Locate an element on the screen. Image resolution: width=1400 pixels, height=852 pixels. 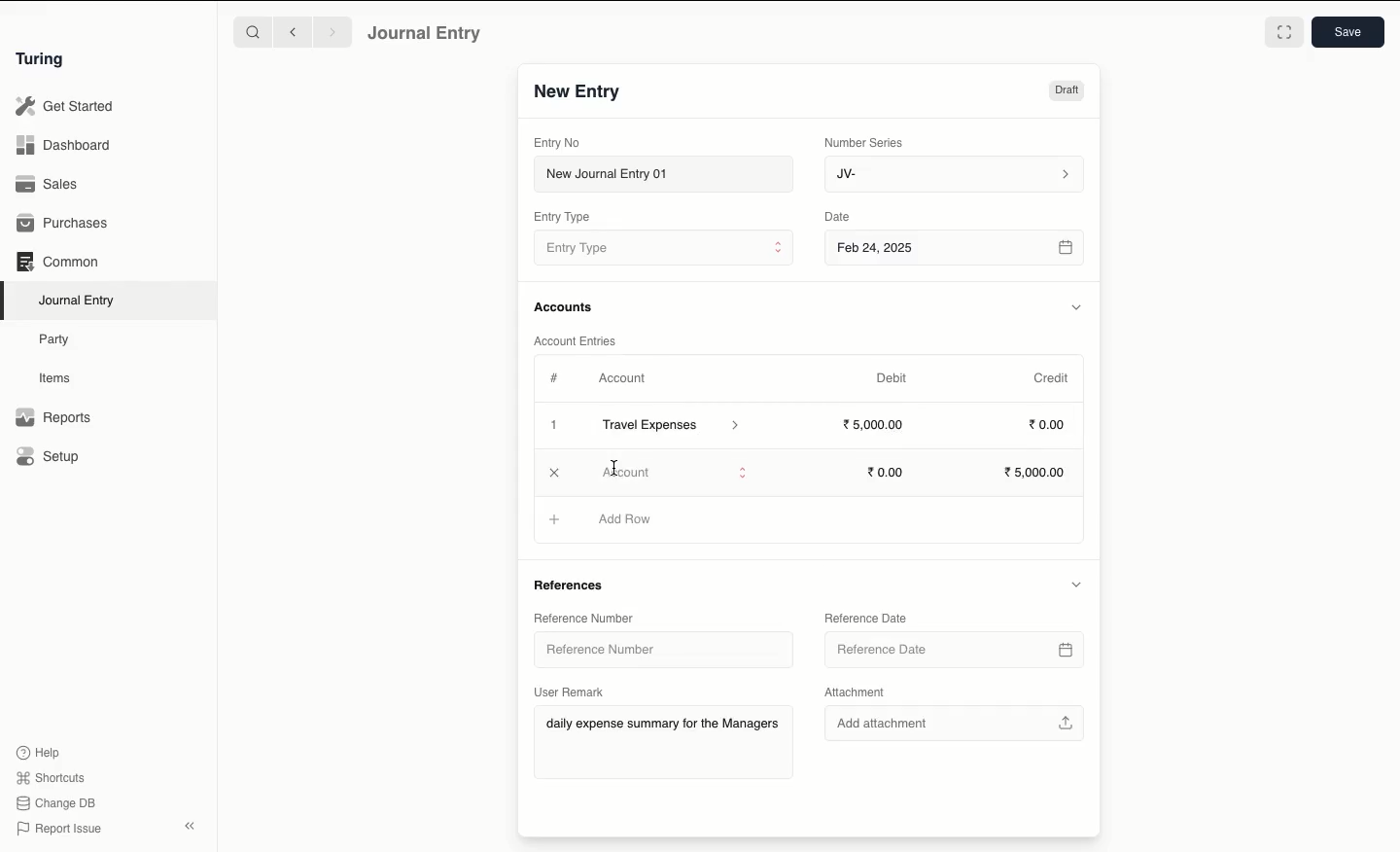
Help is located at coordinates (39, 753).